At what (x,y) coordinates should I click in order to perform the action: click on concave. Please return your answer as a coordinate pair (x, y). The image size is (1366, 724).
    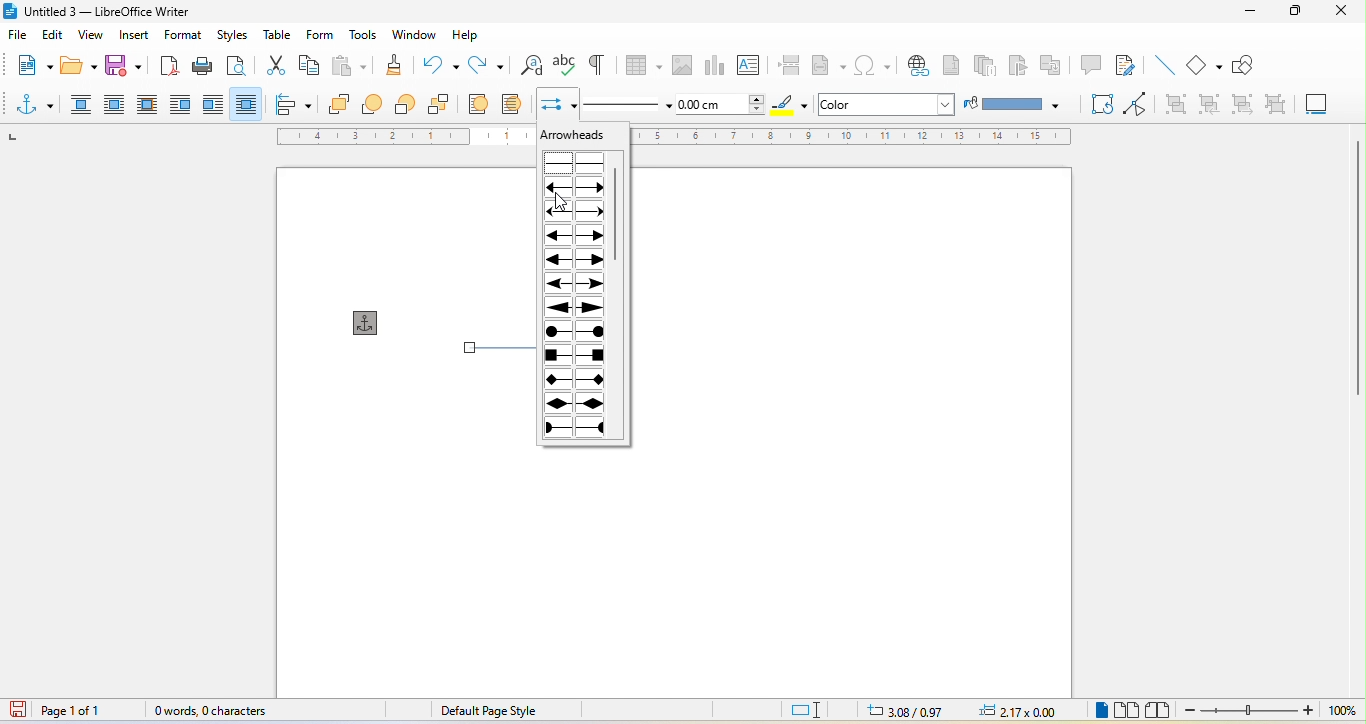
    Looking at the image, I should click on (579, 283).